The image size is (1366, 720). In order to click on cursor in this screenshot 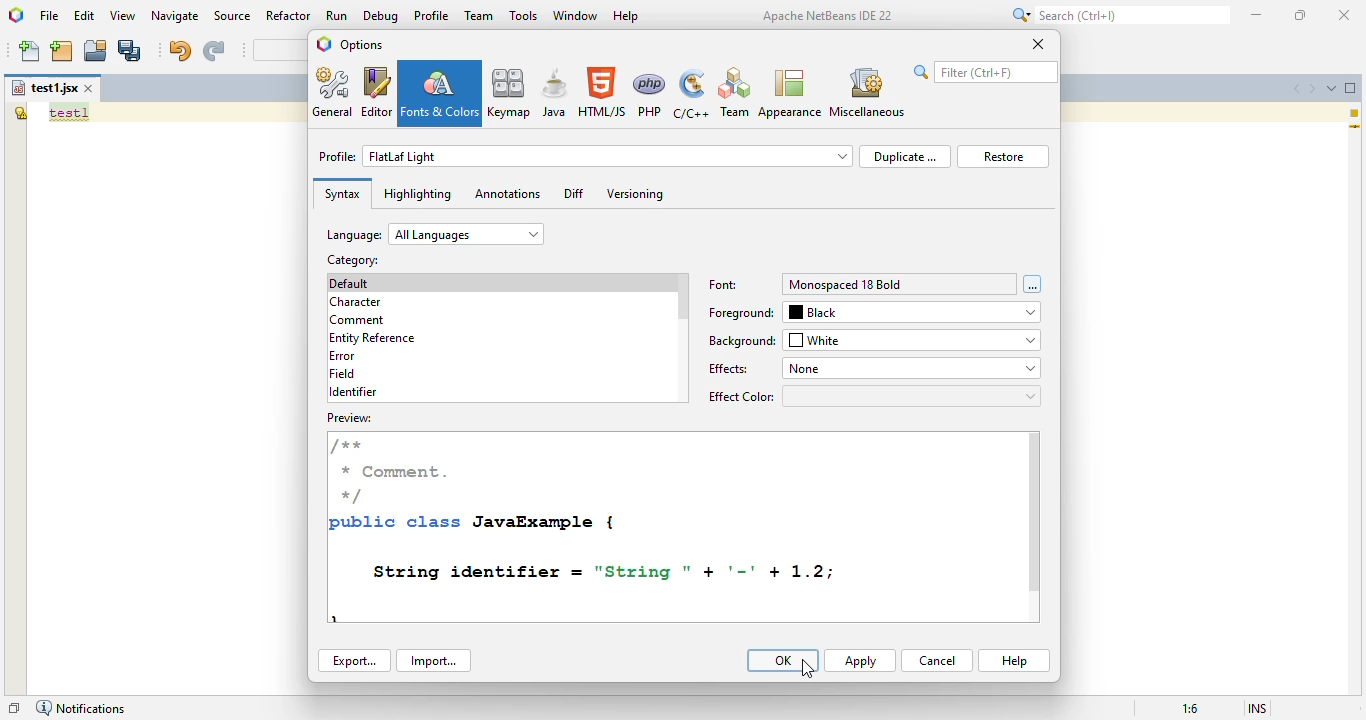, I will do `click(808, 670)`.